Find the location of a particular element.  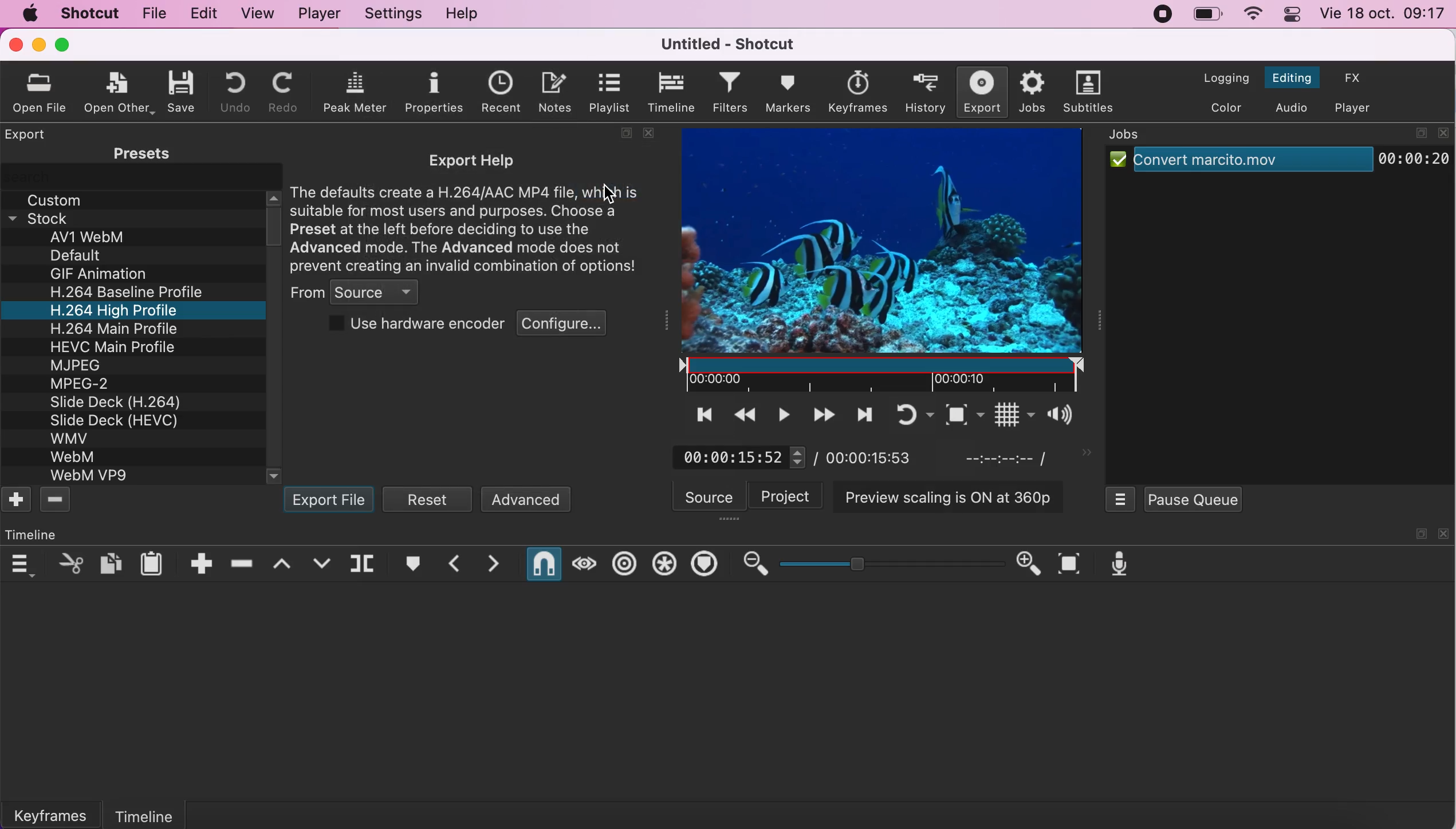

timeline is located at coordinates (170, 811).